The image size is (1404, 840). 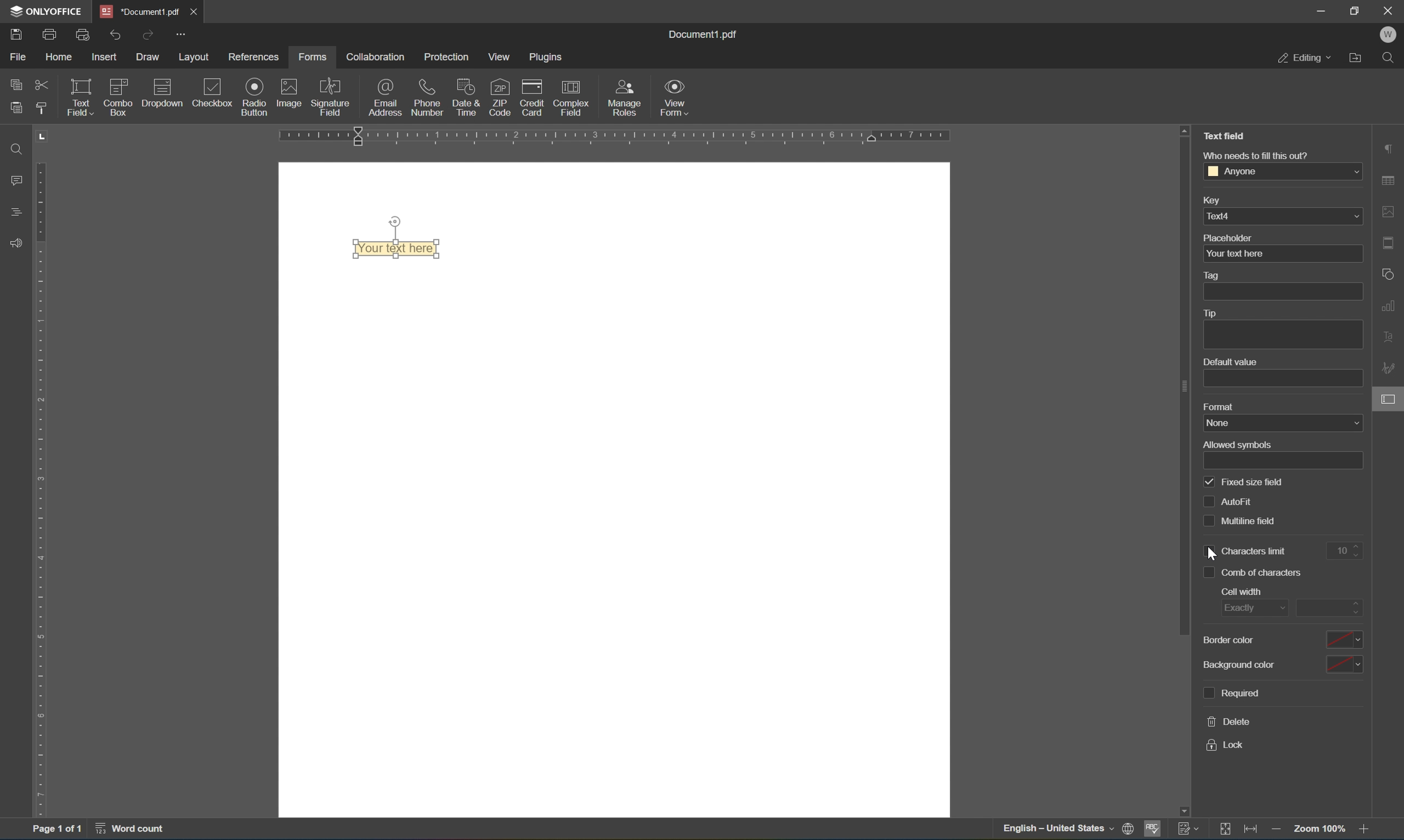 I want to click on checkbox, so click(x=1207, y=520).